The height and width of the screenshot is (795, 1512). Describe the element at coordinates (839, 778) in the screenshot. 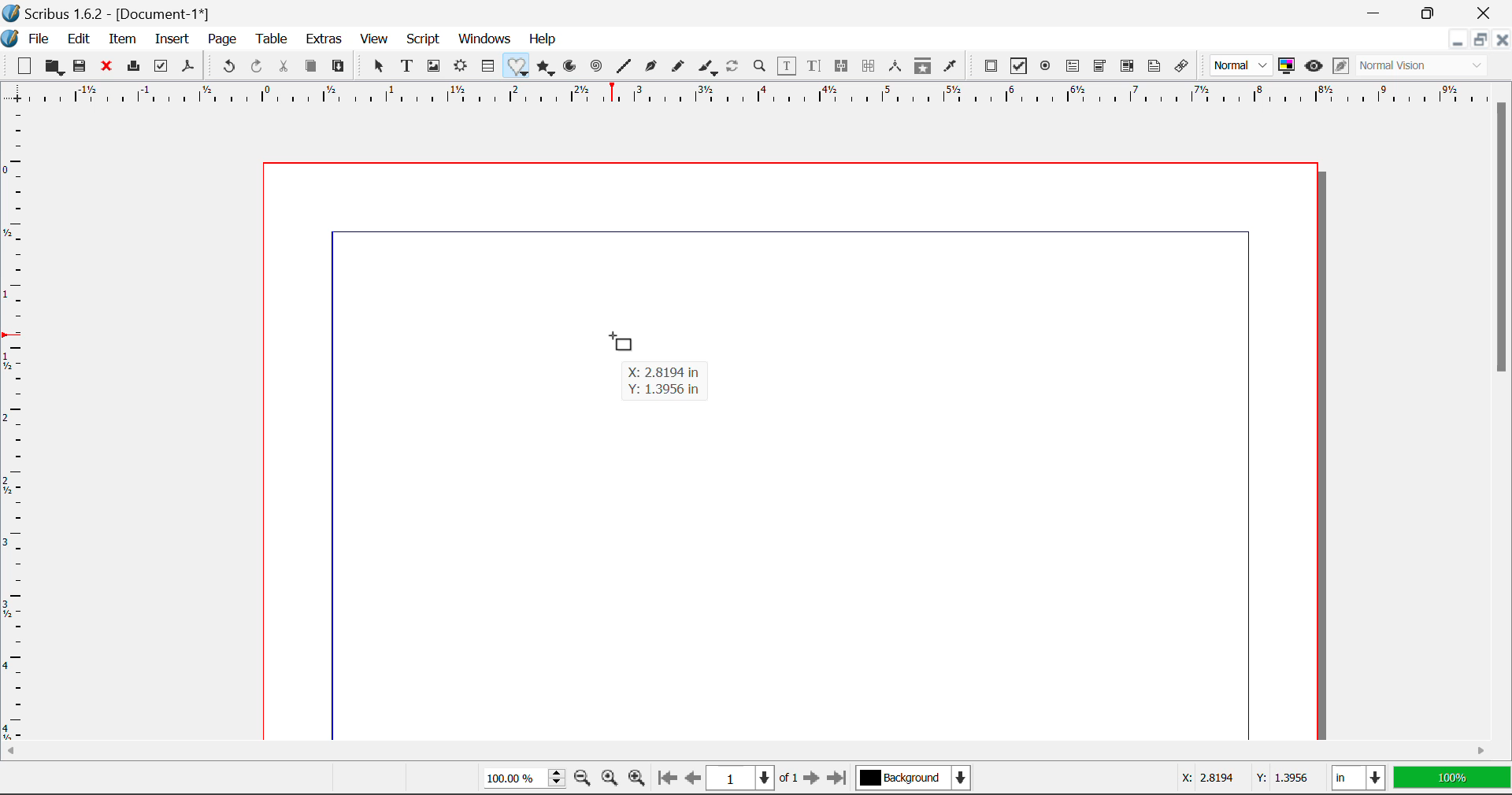

I see `Last Page` at that location.